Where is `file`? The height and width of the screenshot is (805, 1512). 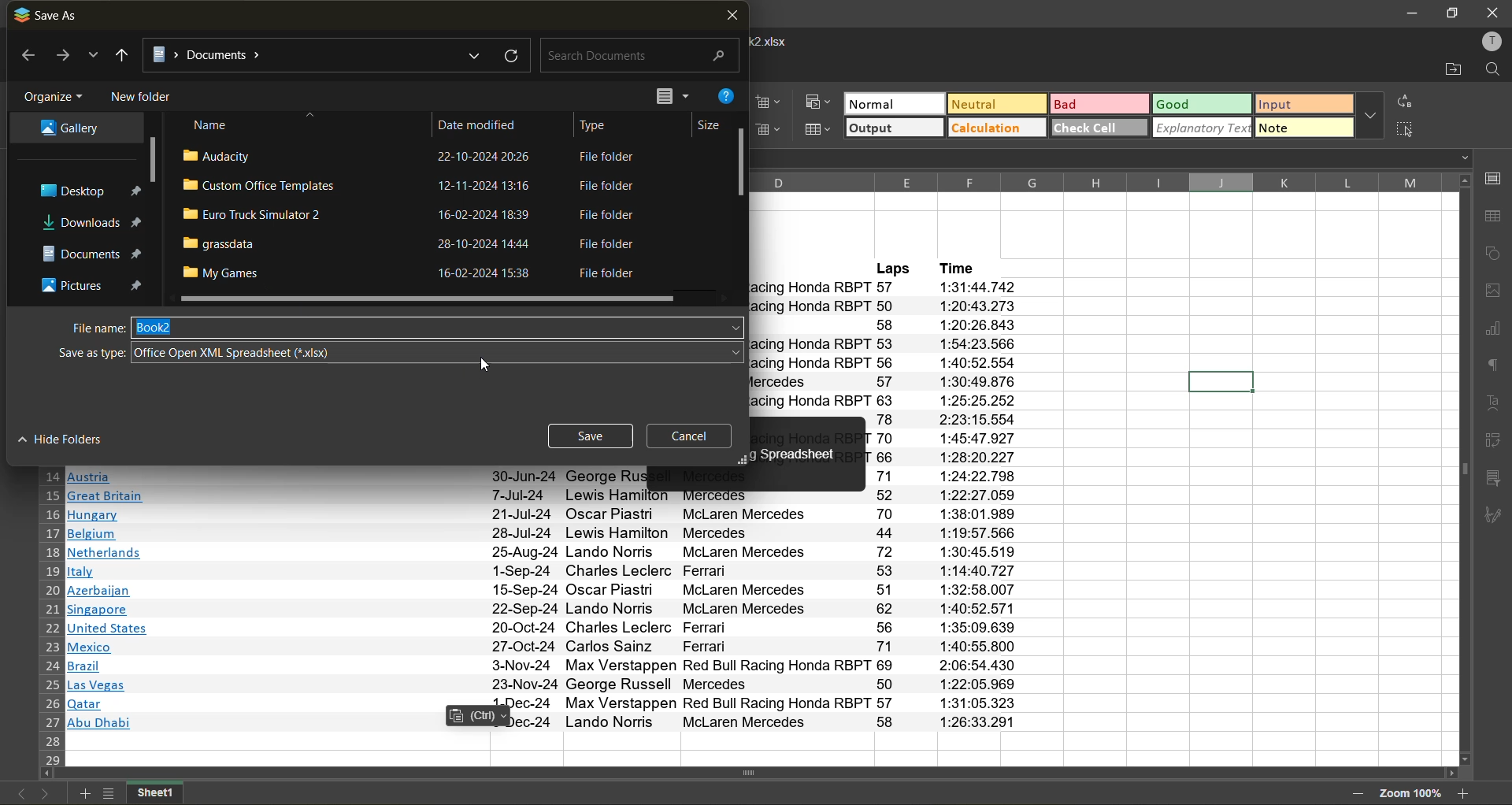 file is located at coordinates (415, 244).